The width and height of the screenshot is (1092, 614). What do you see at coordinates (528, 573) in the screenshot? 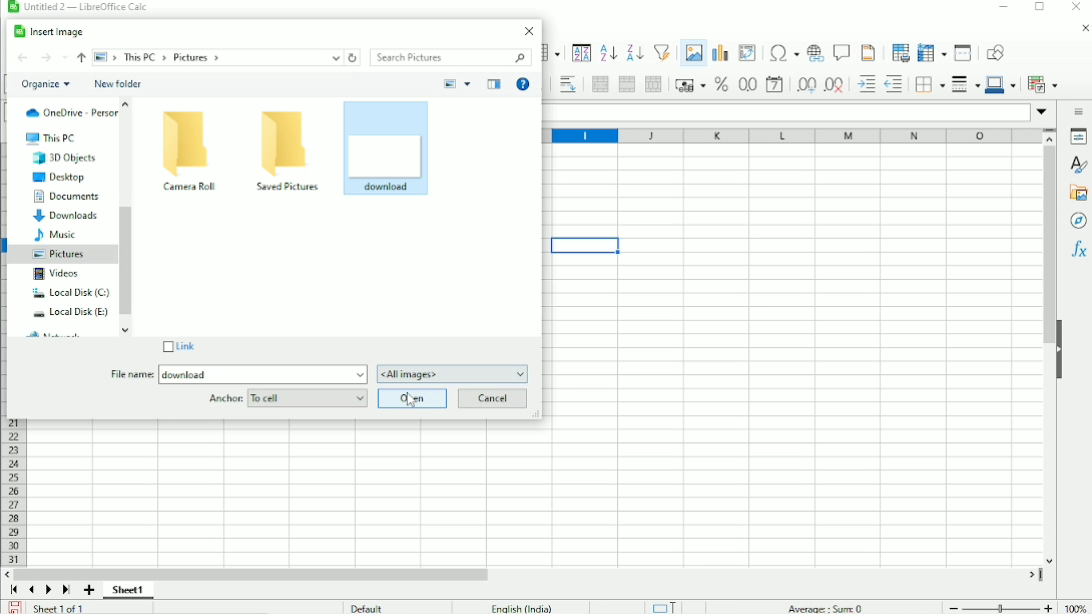
I see `Horizontal scrollbar` at bounding box center [528, 573].